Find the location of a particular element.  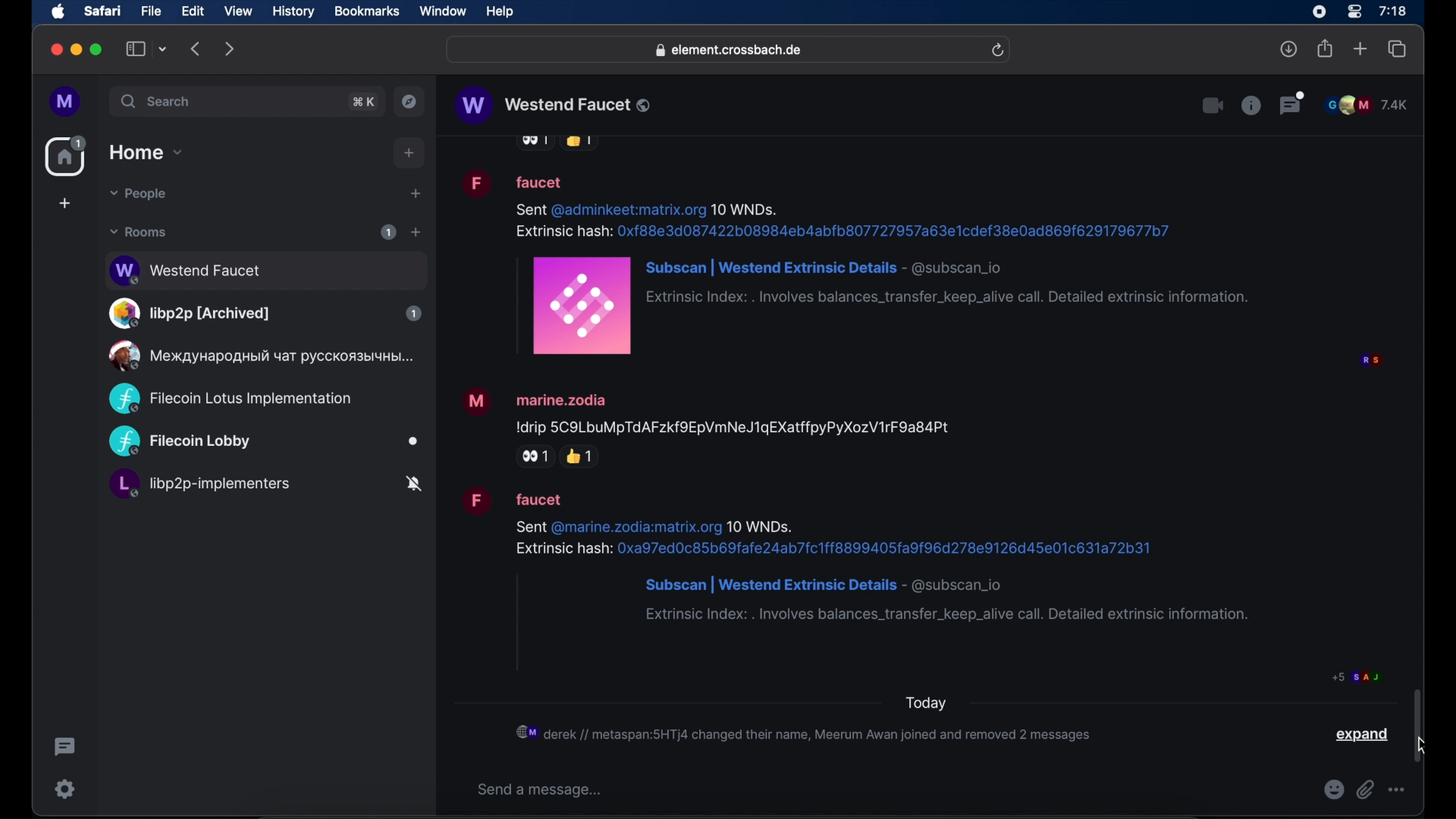

notification is located at coordinates (805, 733).